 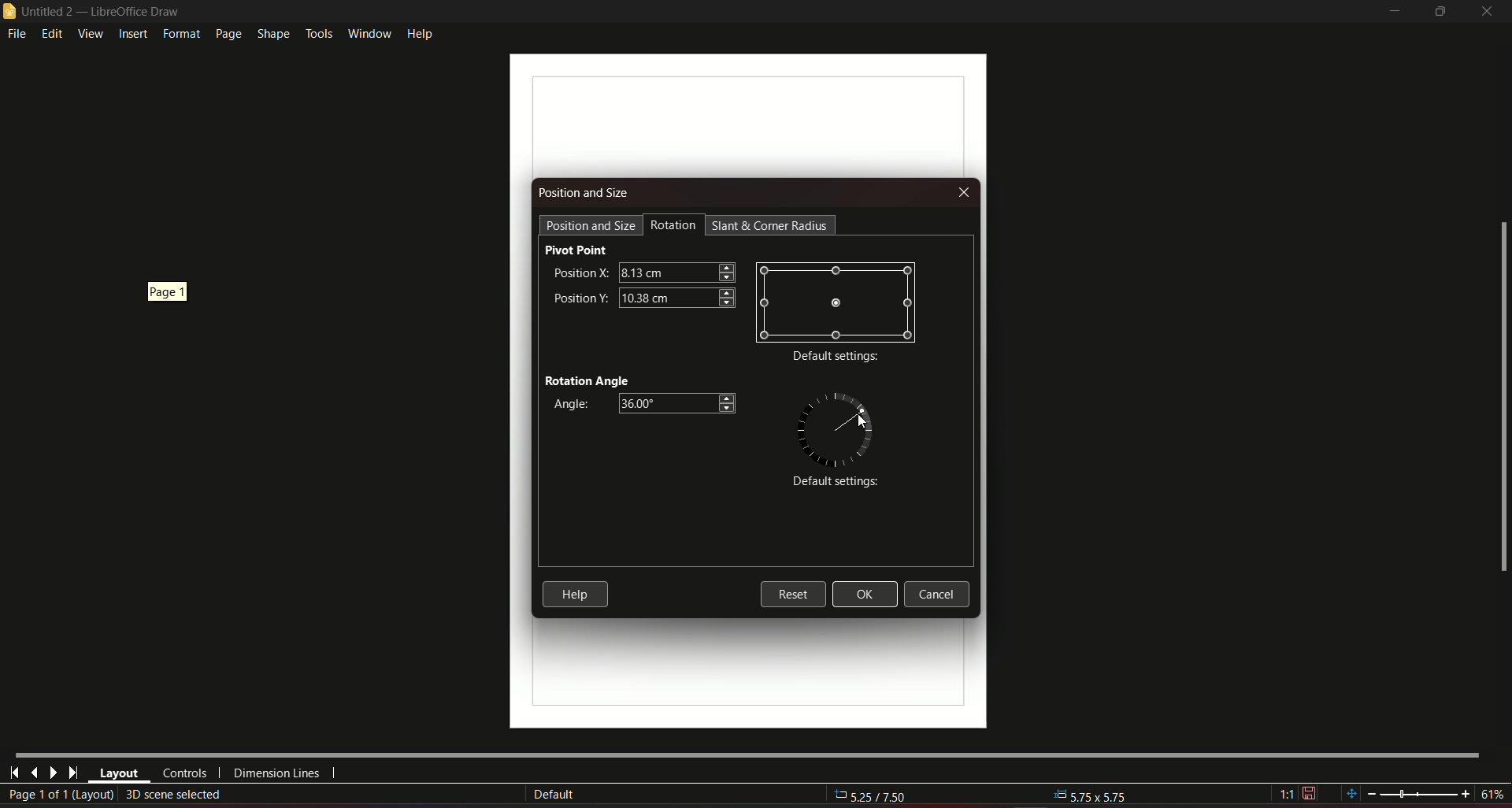 What do you see at coordinates (568, 405) in the screenshot?
I see `Angle` at bounding box center [568, 405].